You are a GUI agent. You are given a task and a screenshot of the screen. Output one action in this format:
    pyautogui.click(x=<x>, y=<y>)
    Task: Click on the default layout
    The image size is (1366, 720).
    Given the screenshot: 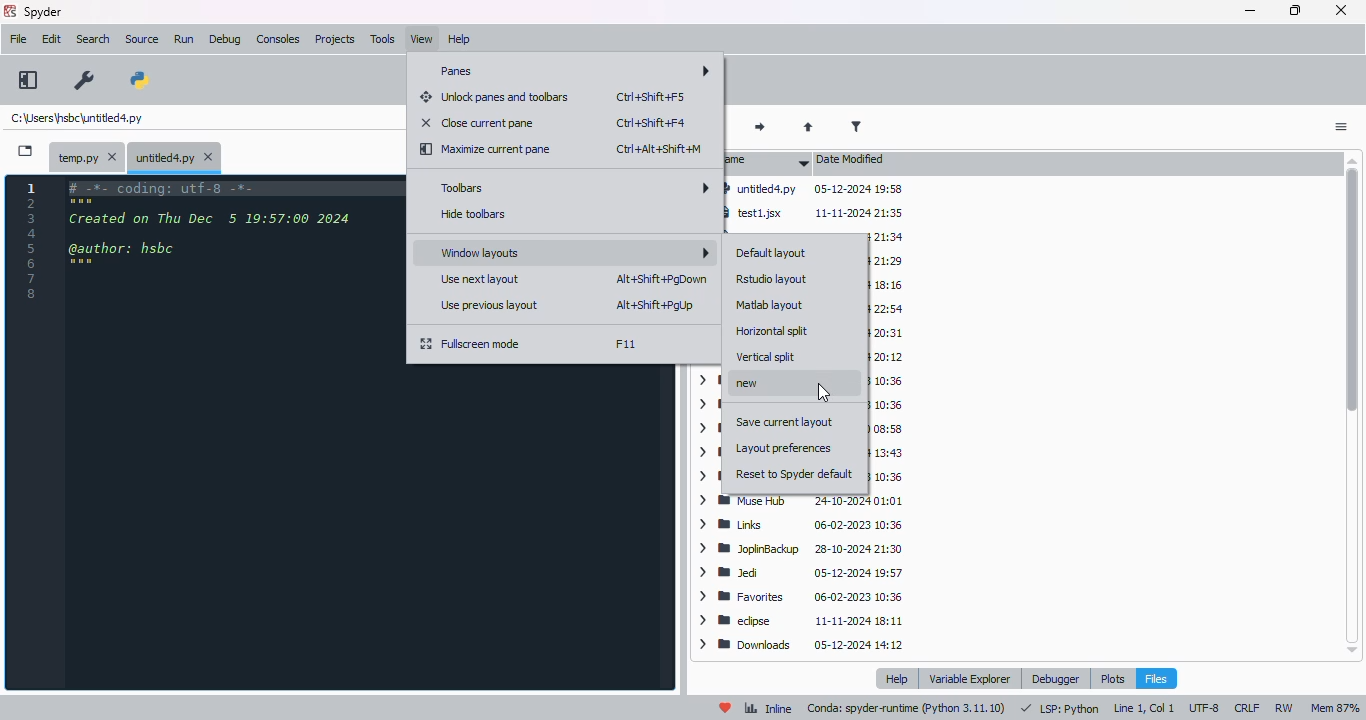 What is the action you would take?
    pyautogui.click(x=772, y=254)
    